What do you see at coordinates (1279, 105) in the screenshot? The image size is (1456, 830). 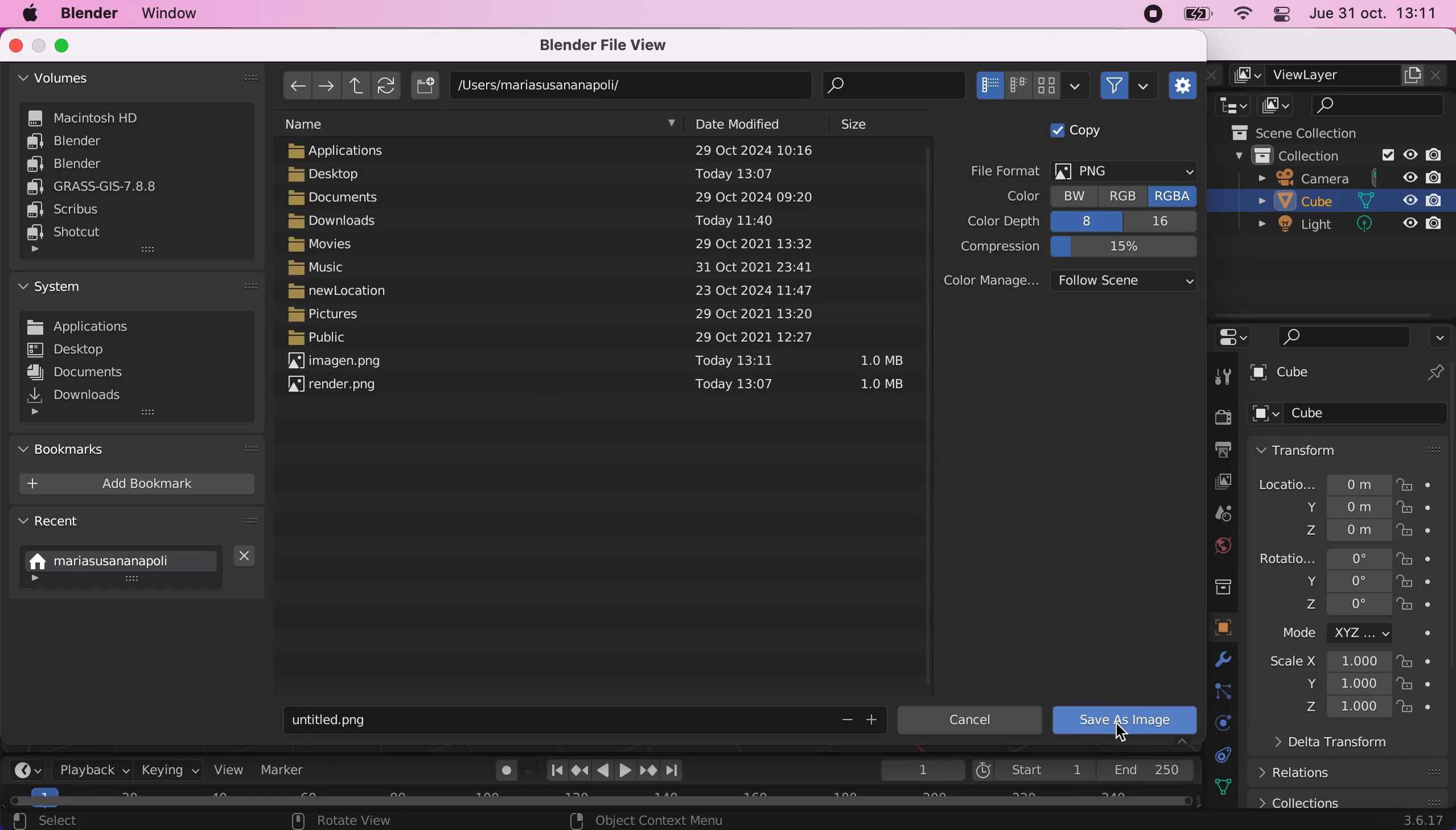 I see `display mode` at bounding box center [1279, 105].